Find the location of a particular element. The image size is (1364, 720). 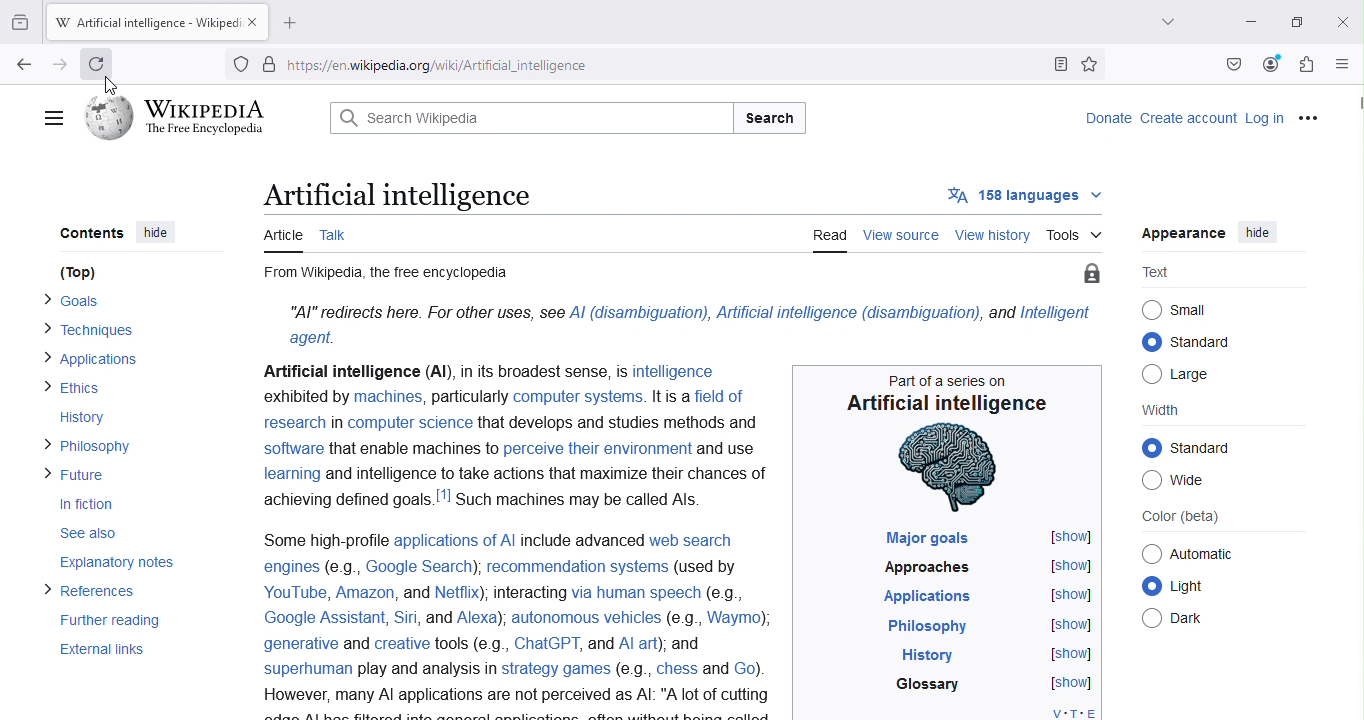

web search is located at coordinates (695, 541).